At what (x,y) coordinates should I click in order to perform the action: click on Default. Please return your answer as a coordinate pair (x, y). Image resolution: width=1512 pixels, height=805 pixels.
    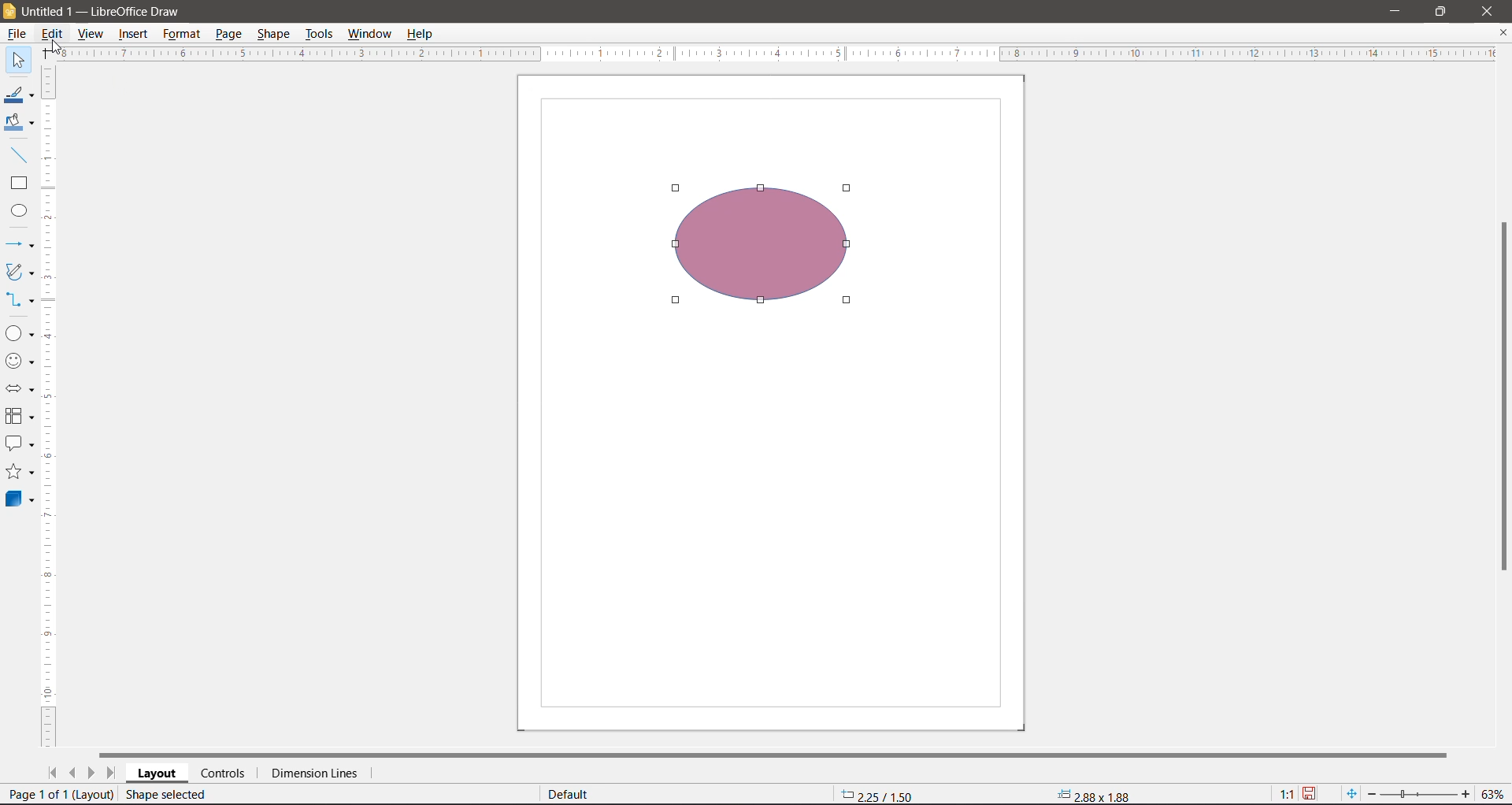
    Looking at the image, I should click on (570, 794).